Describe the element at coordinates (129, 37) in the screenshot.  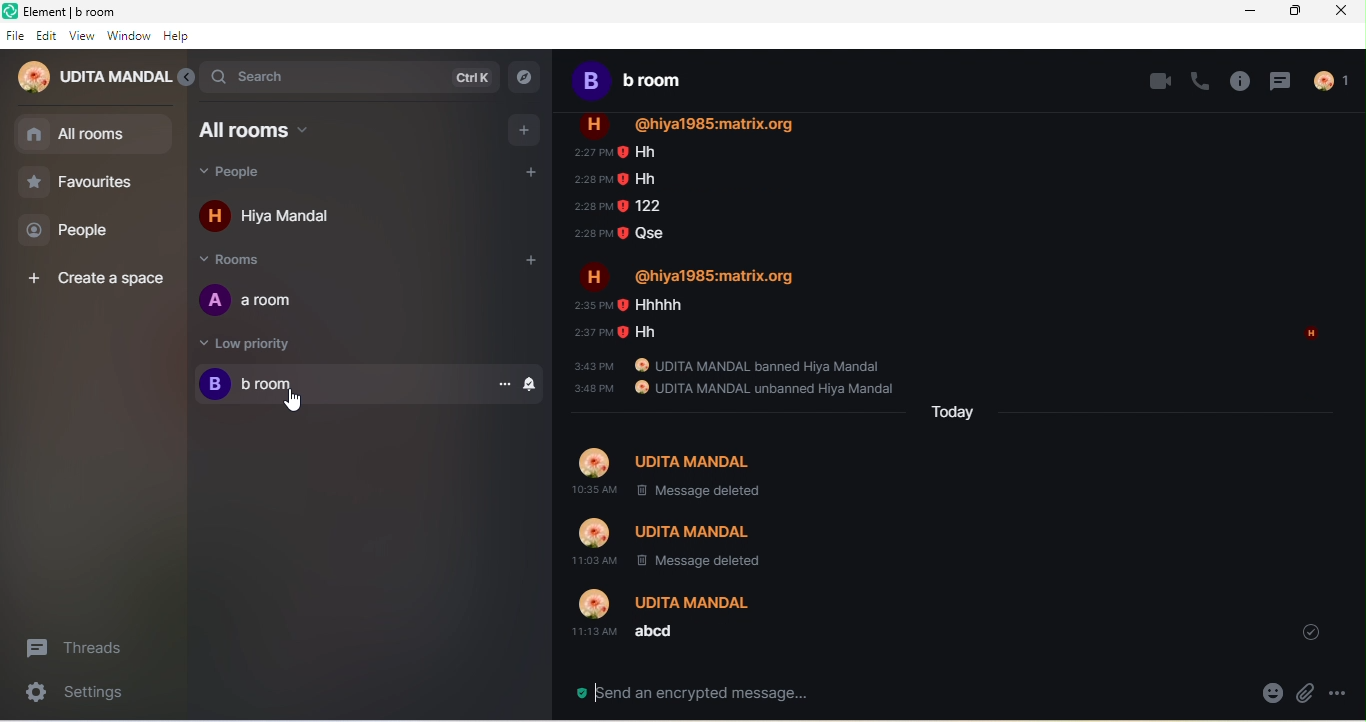
I see `window` at that location.